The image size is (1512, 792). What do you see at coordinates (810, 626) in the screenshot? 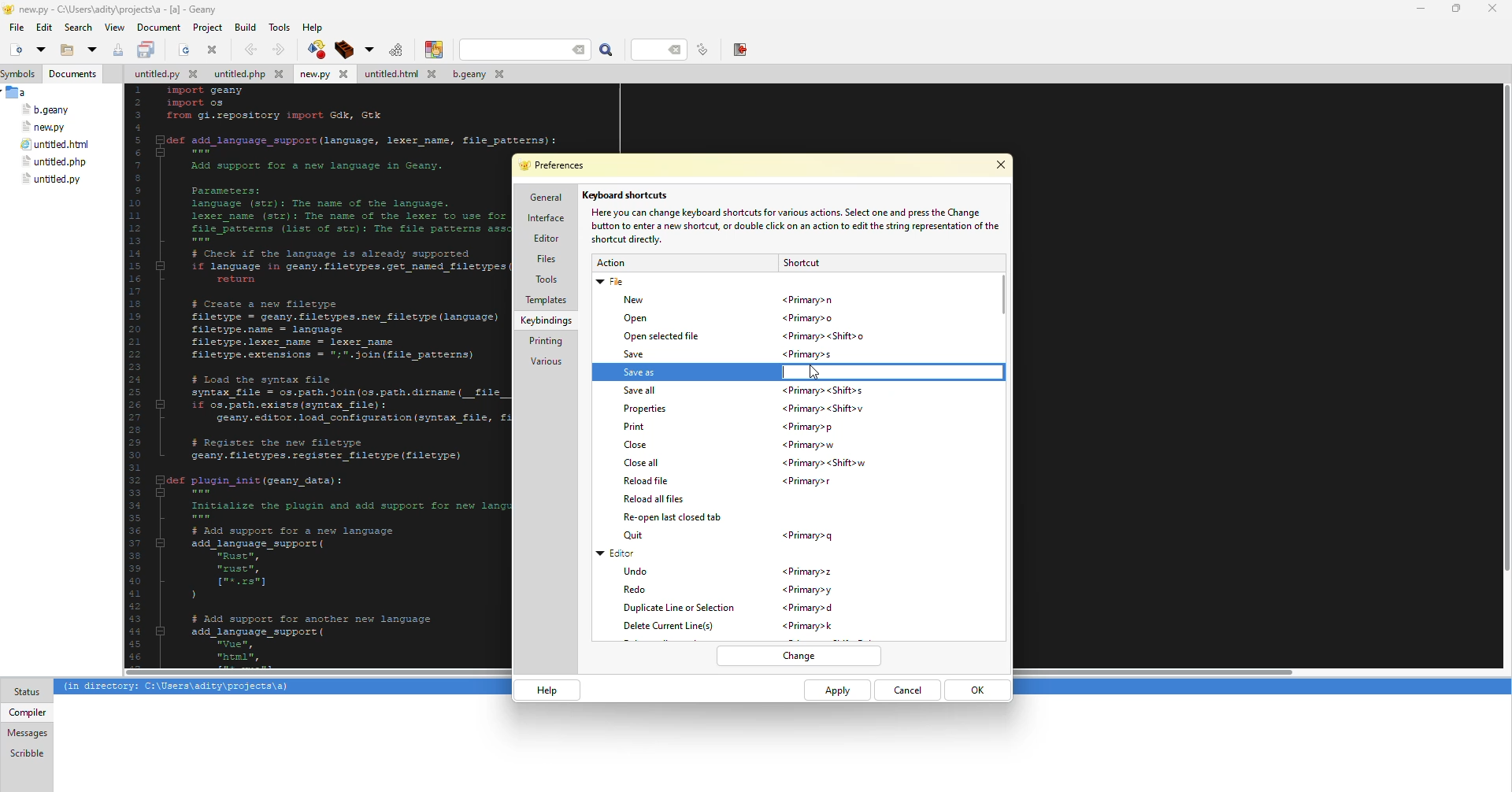
I see `shortcut` at bounding box center [810, 626].